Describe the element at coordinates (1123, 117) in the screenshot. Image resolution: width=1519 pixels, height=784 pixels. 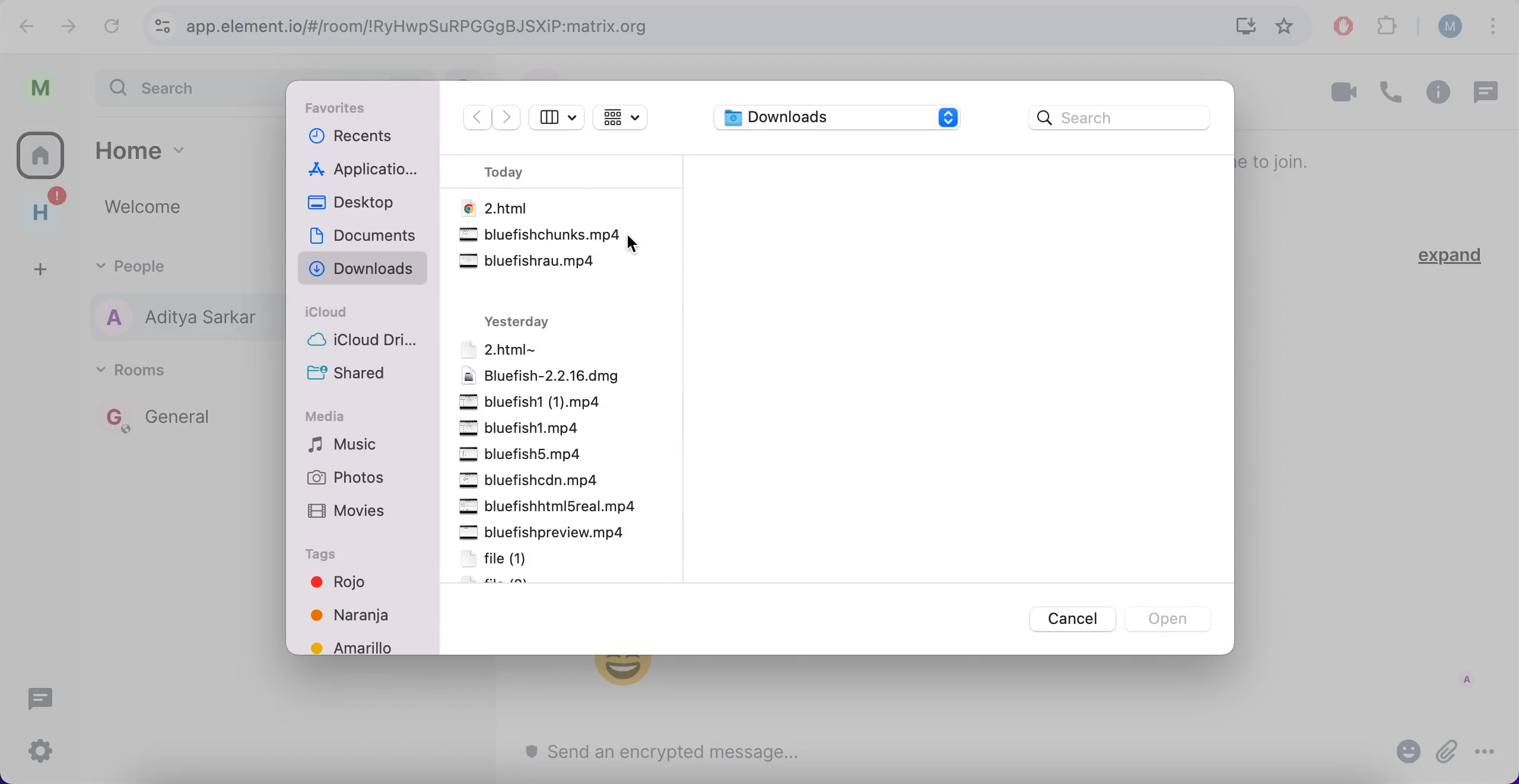
I see `search` at that location.